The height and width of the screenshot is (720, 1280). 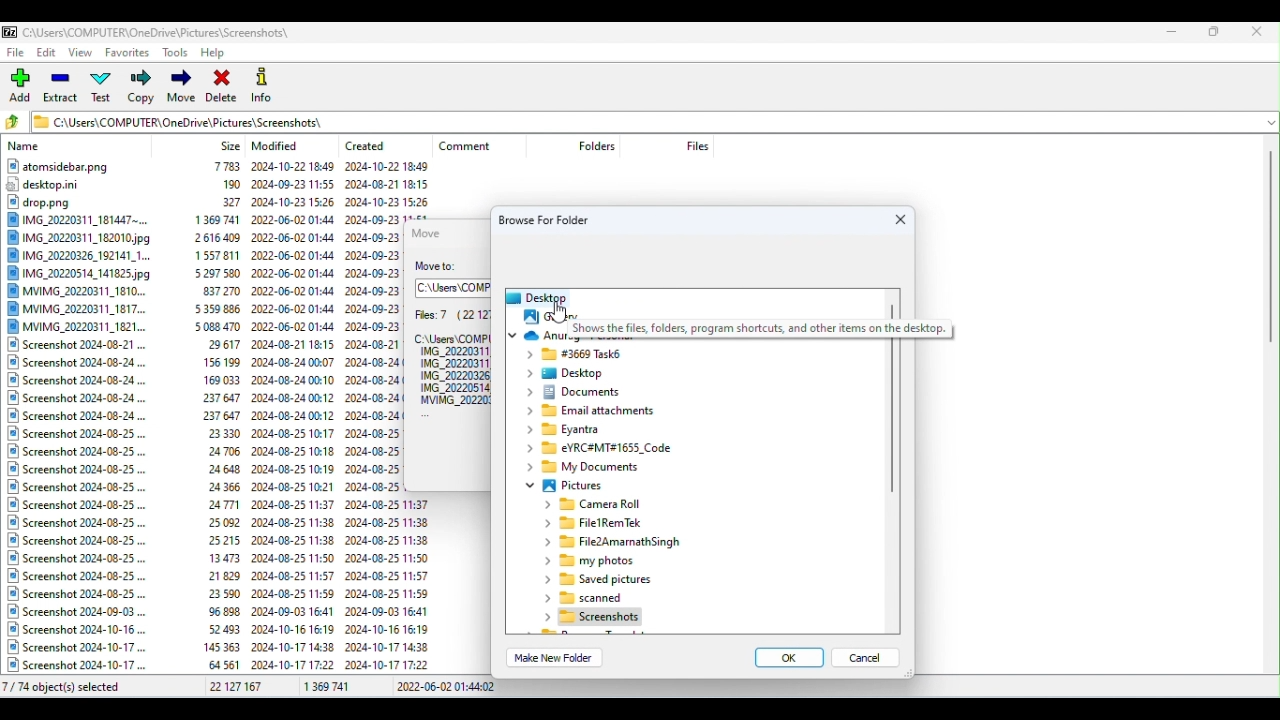 What do you see at coordinates (140, 88) in the screenshot?
I see `Copy` at bounding box center [140, 88].